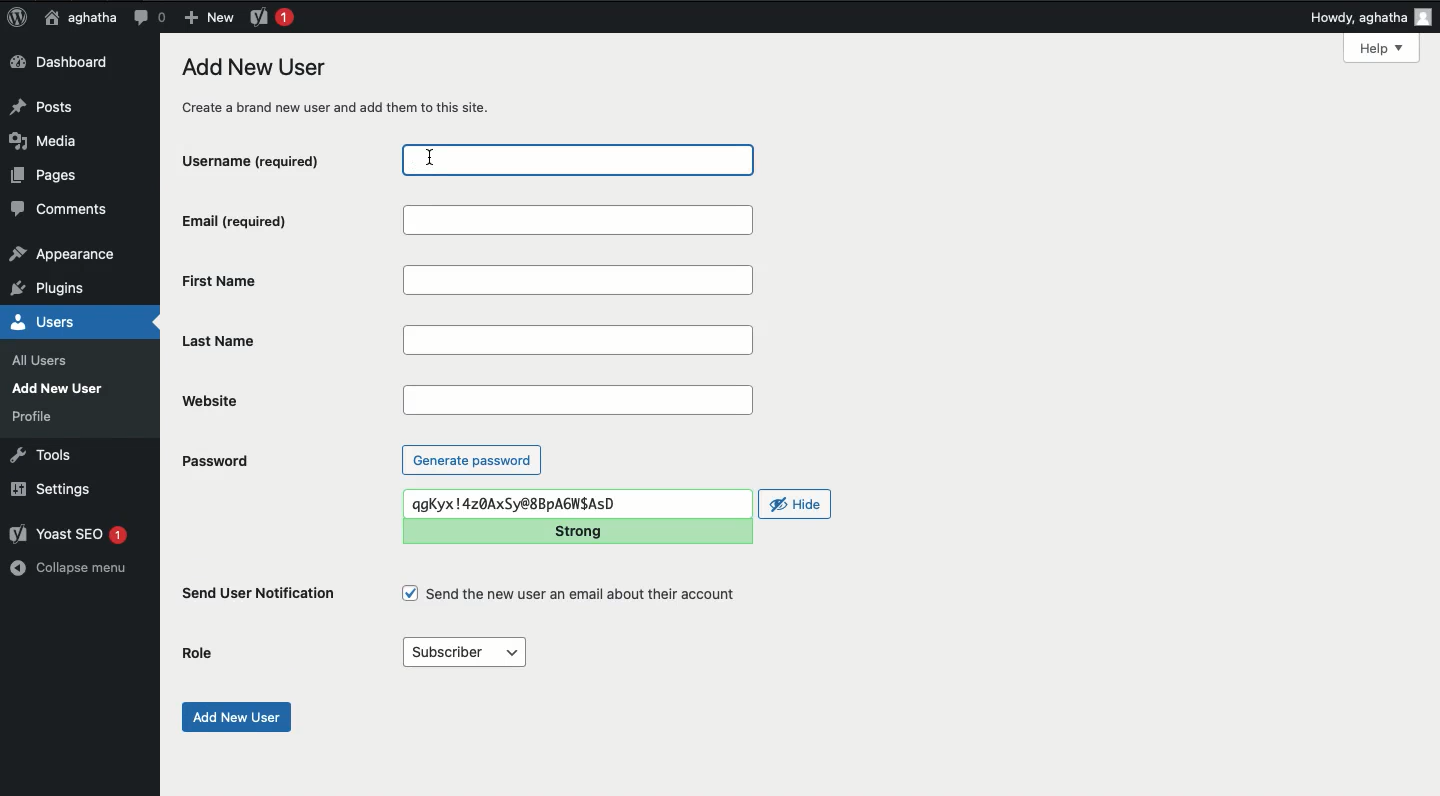 The height and width of the screenshot is (796, 1440). What do you see at coordinates (572, 594) in the screenshot?
I see `Send the new user an email about their account` at bounding box center [572, 594].